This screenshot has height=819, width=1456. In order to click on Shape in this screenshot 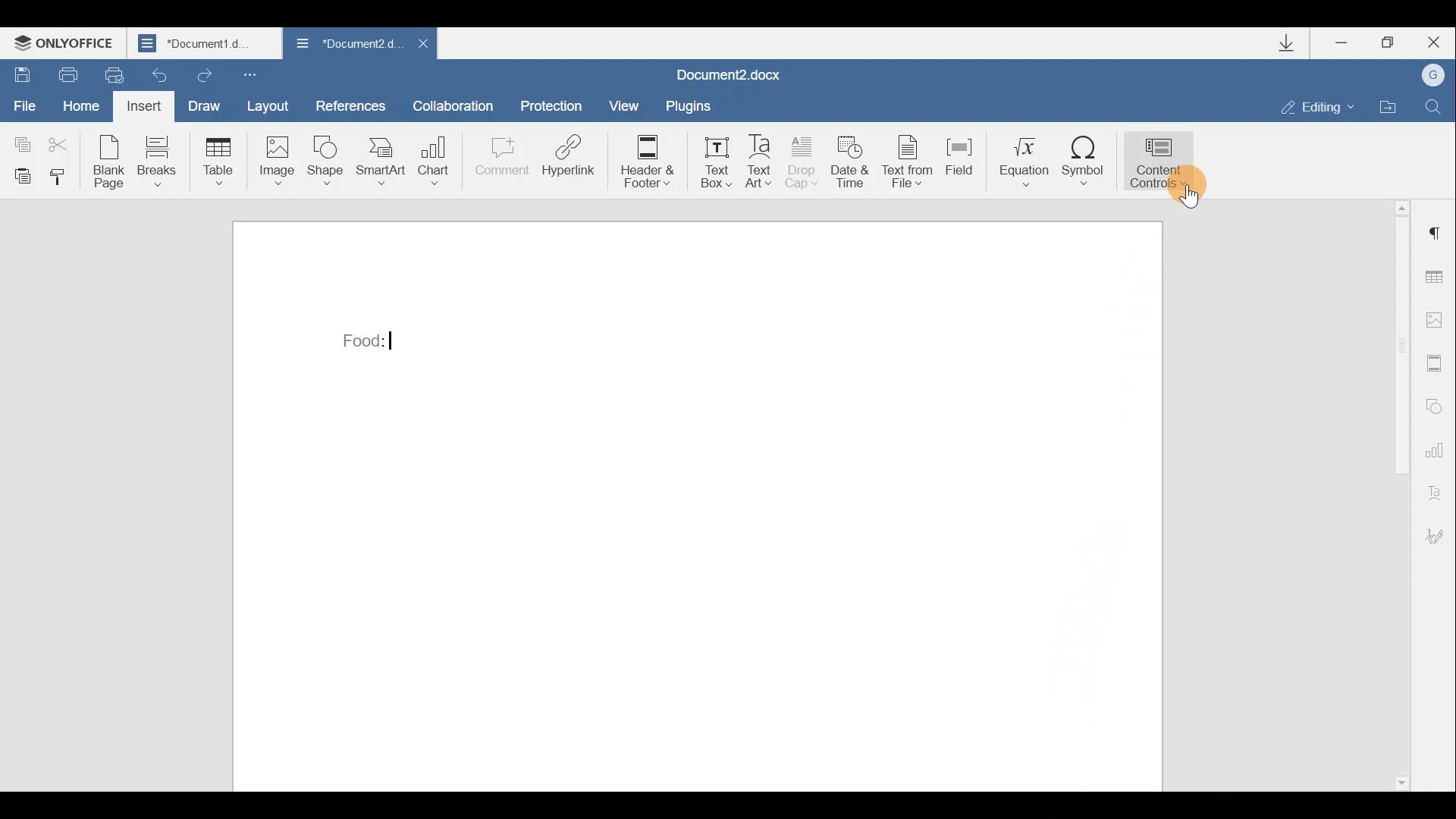, I will do `click(328, 163)`.